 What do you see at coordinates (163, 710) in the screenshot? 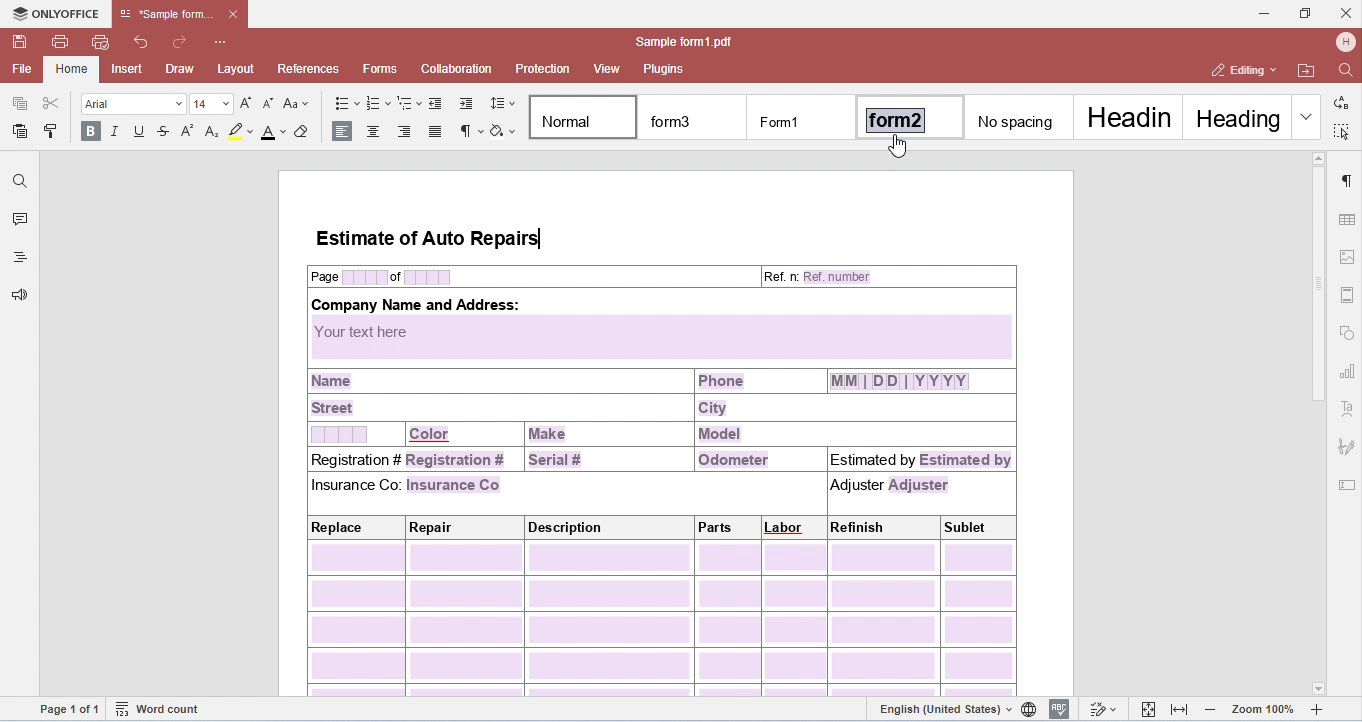
I see `word count` at bounding box center [163, 710].